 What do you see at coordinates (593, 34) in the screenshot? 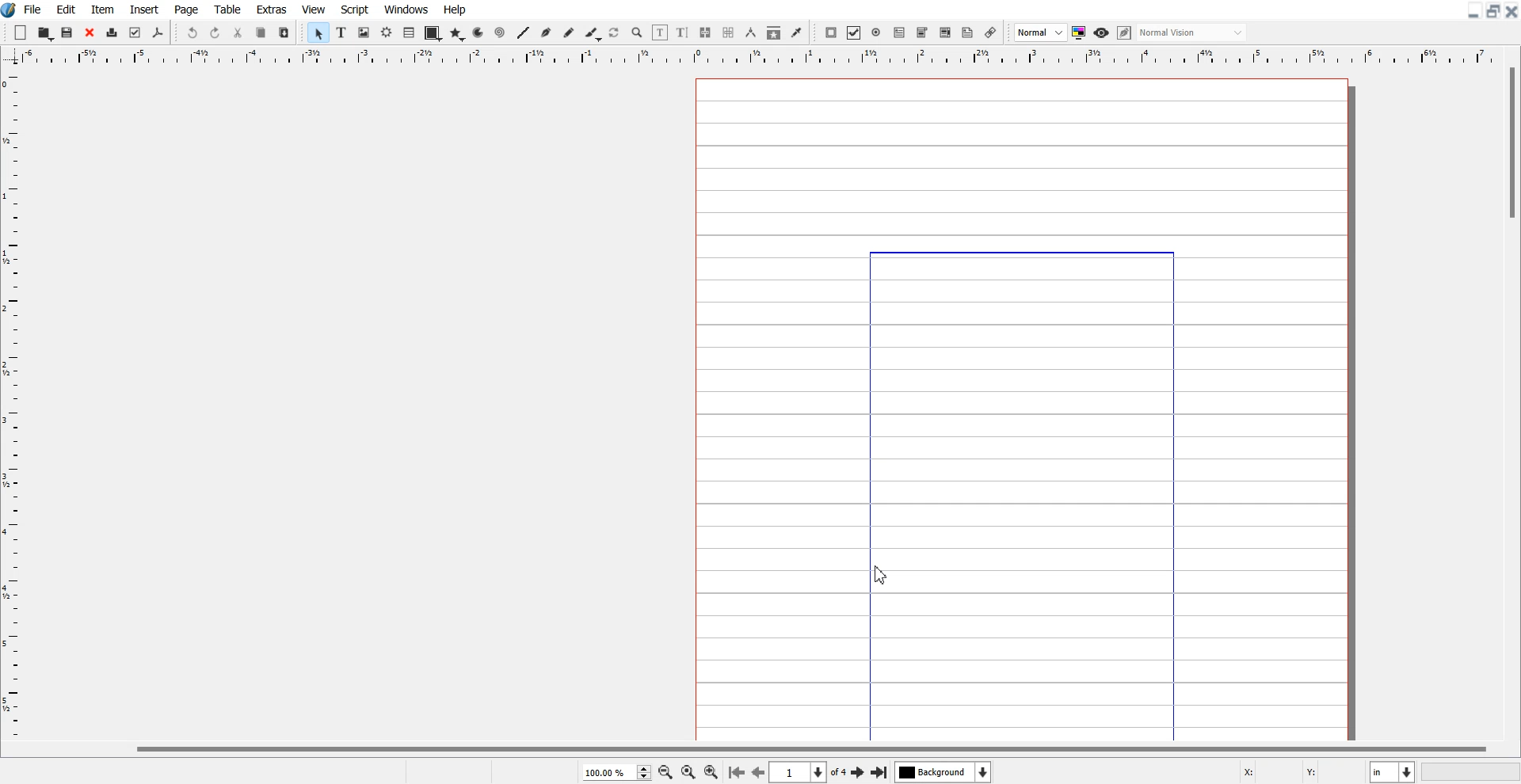
I see `Calligraphic line` at bounding box center [593, 34].